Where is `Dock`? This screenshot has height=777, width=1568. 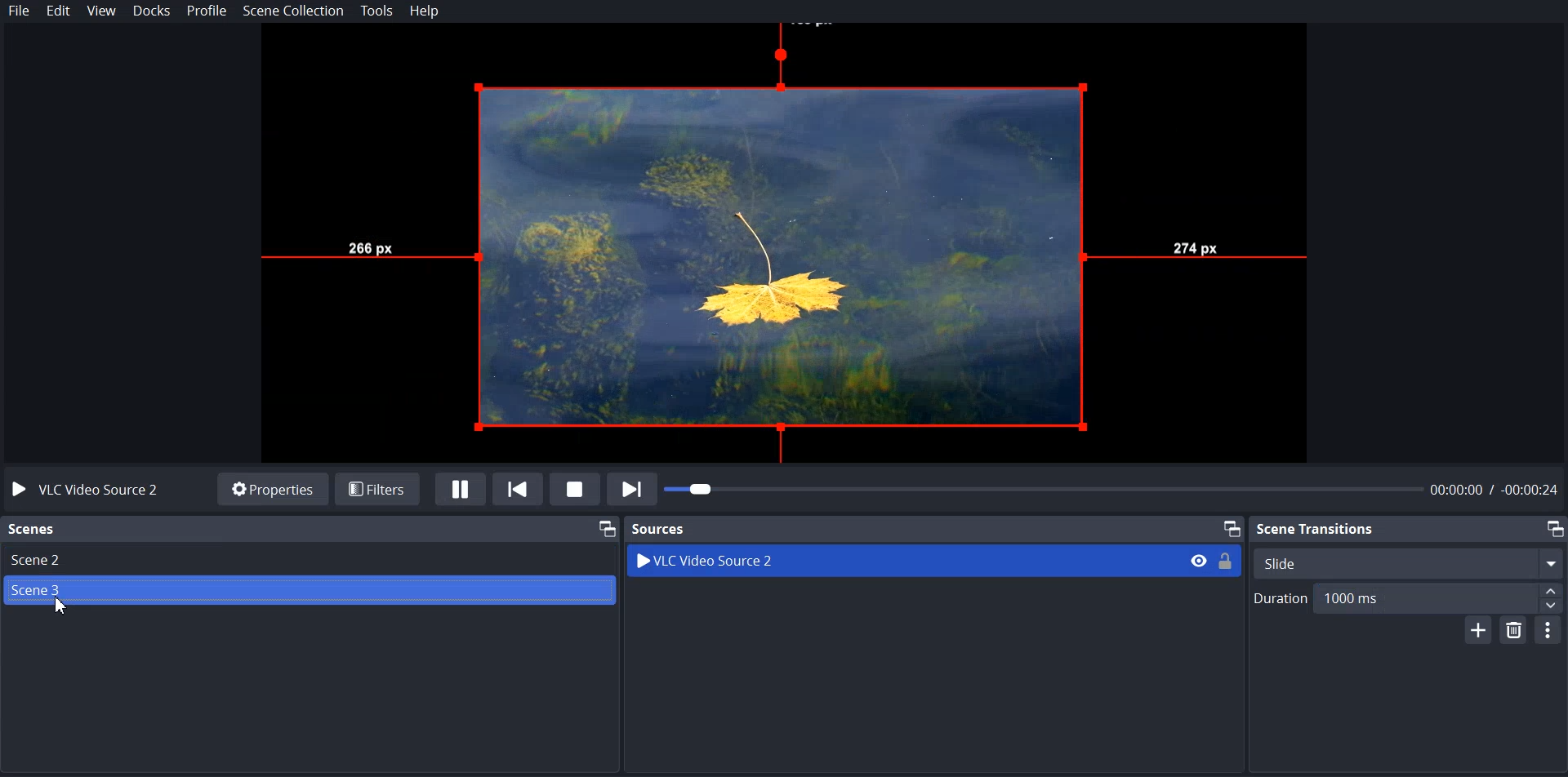 Dock is located at coordinates (152, 11).